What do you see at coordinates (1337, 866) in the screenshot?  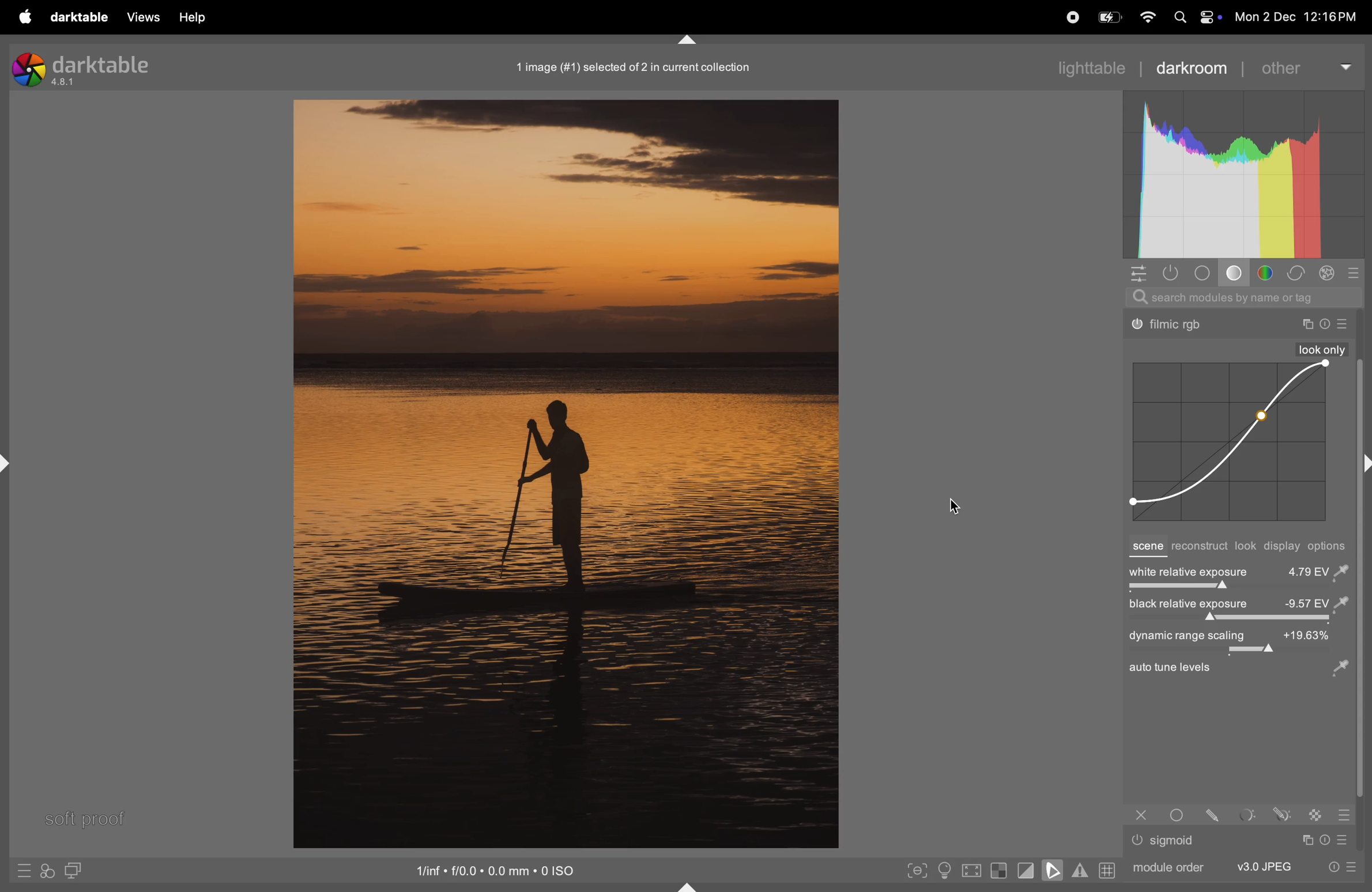 I see `quick acess to presets` at bounding box center [1337, 866].